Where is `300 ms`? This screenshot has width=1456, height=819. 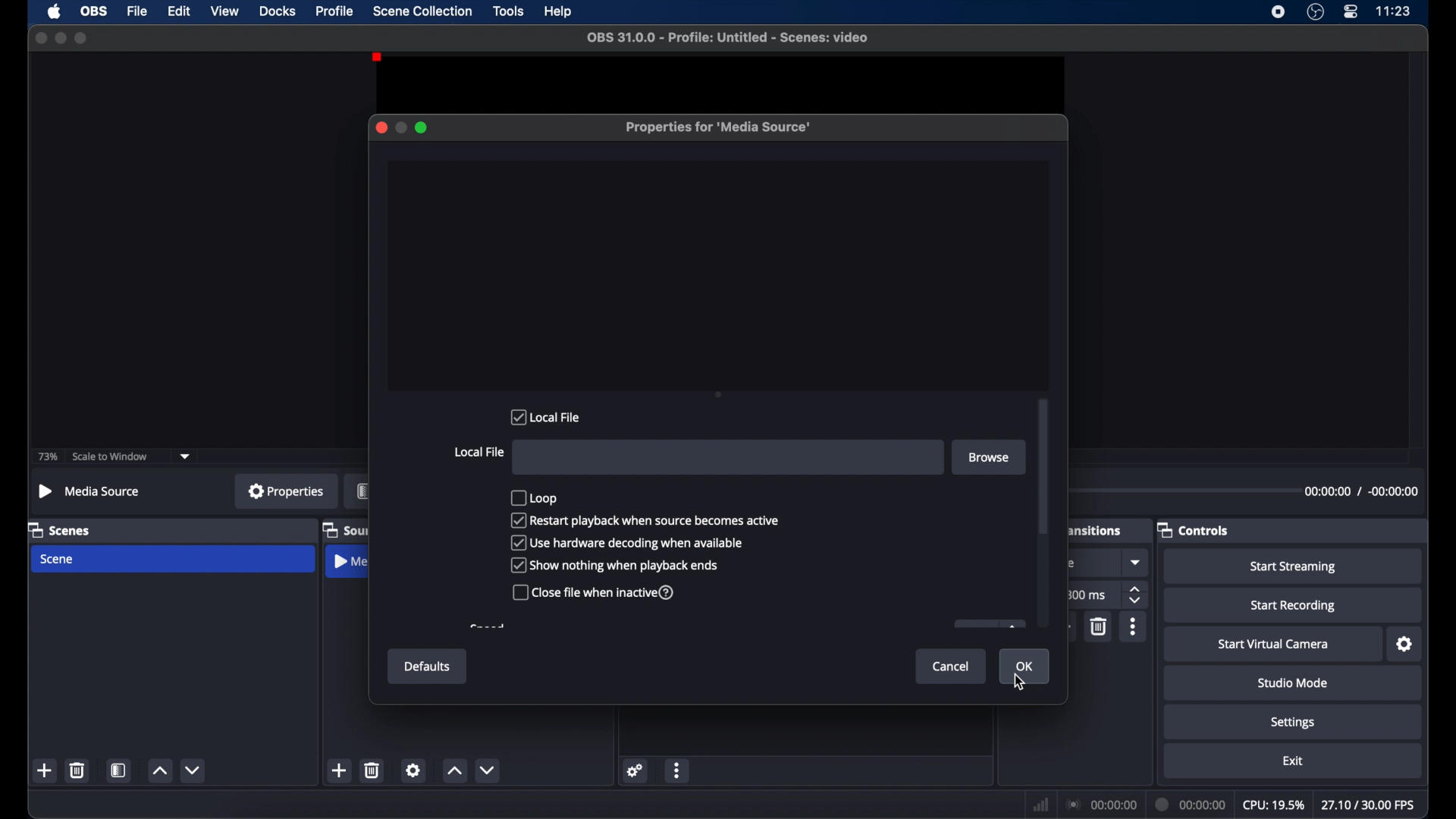 300 ms is located at coordinates (1086, 595).